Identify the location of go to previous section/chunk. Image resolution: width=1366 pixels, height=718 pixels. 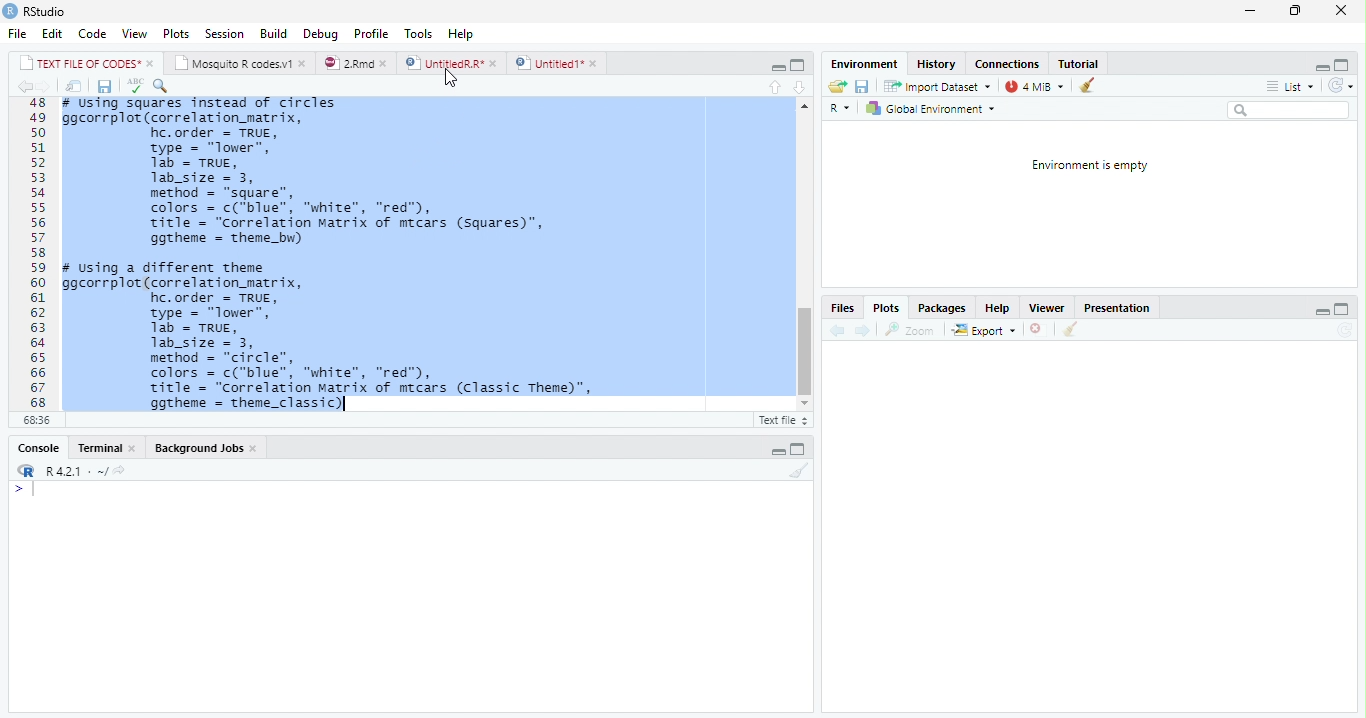
(774, 87).